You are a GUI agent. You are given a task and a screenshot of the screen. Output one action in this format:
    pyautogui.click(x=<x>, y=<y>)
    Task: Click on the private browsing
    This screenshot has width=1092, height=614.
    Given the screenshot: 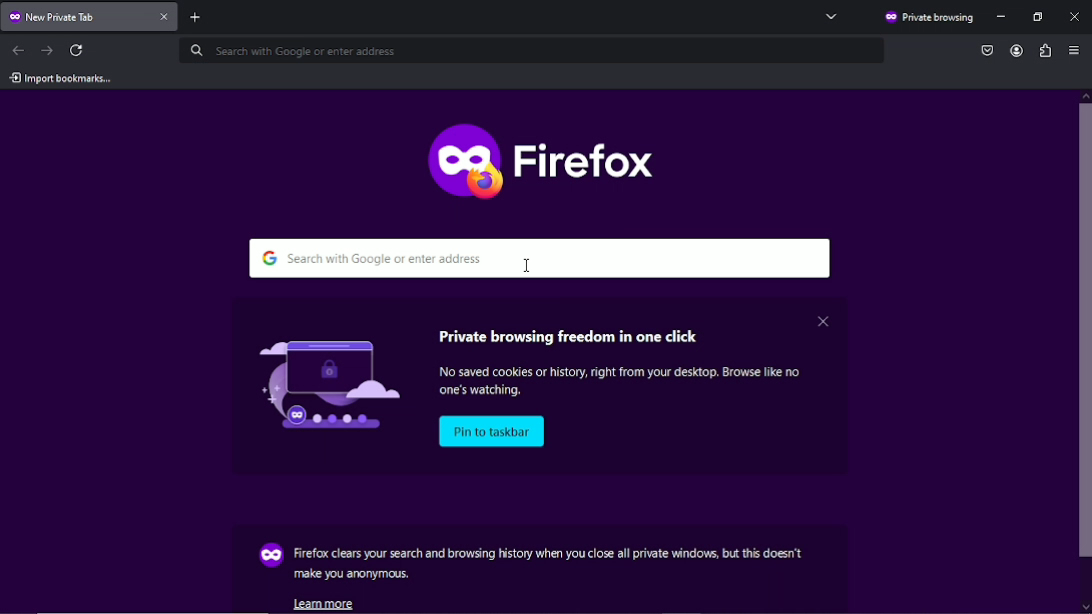 What is the action you would take?
    pyautogui.click(x=928, y=18)
    